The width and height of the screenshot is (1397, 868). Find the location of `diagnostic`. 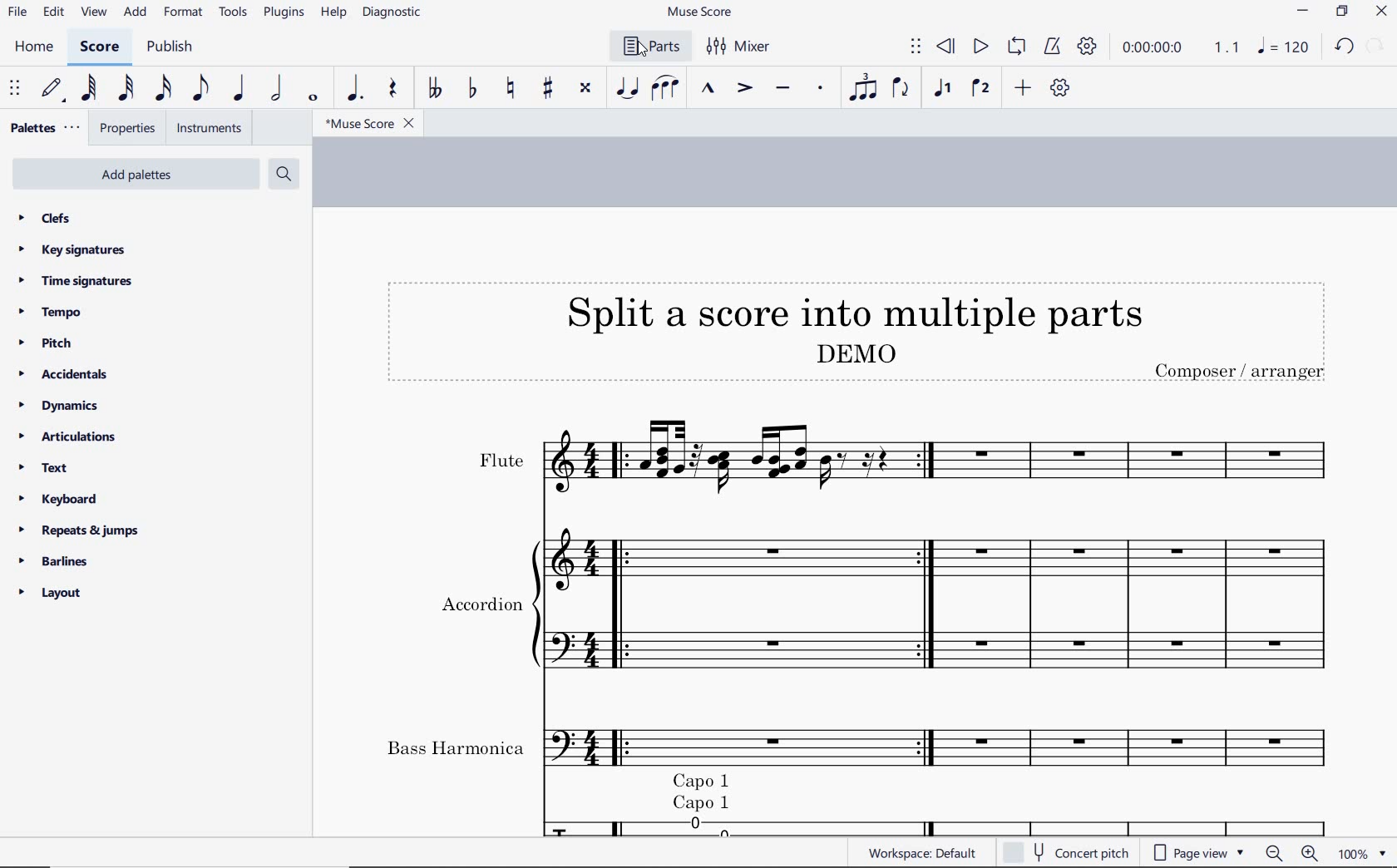

diagnostic is located at coordinates (391, 13).